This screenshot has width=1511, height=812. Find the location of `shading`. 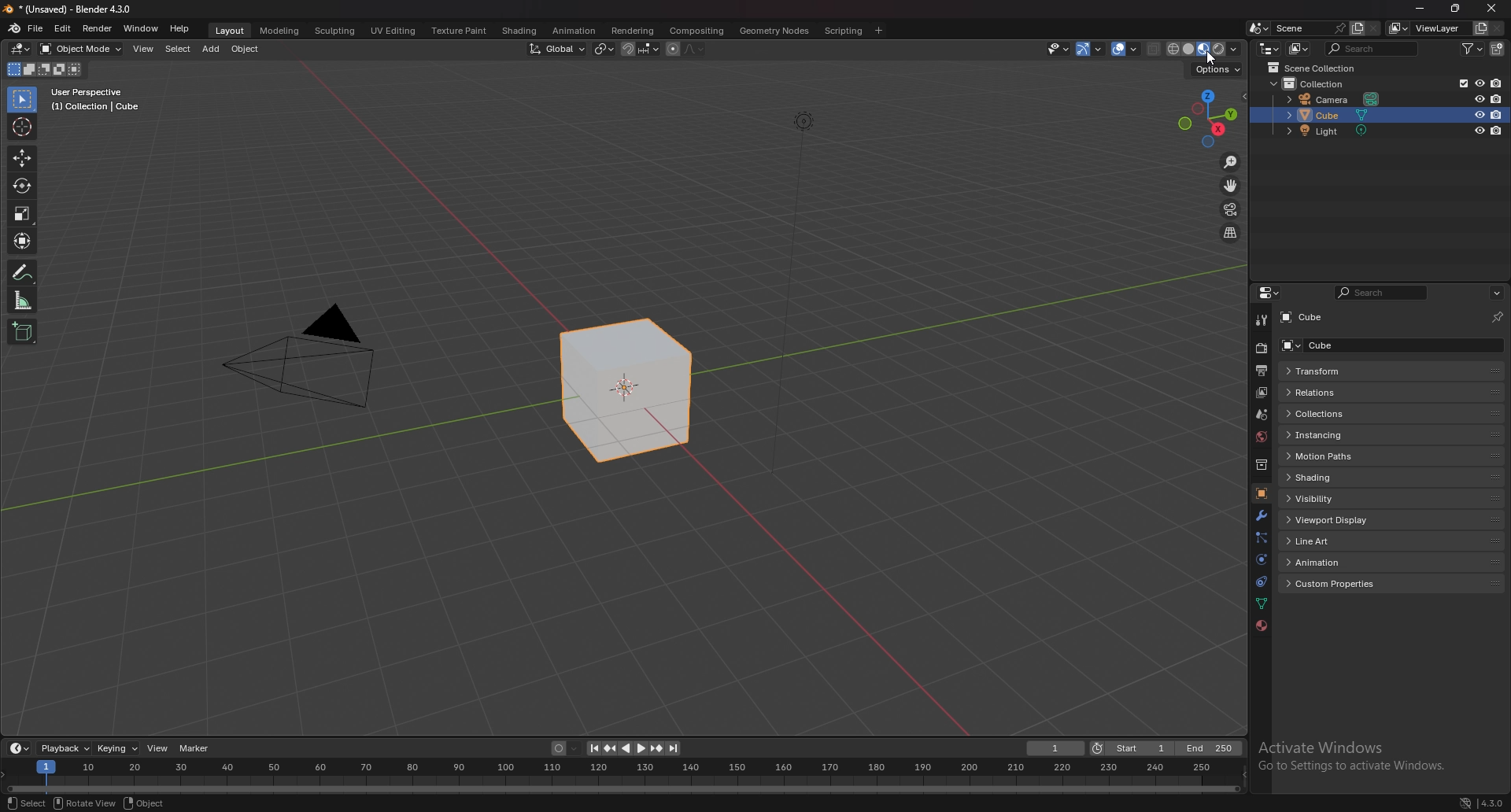

shading is located at coordinates (520, 31).